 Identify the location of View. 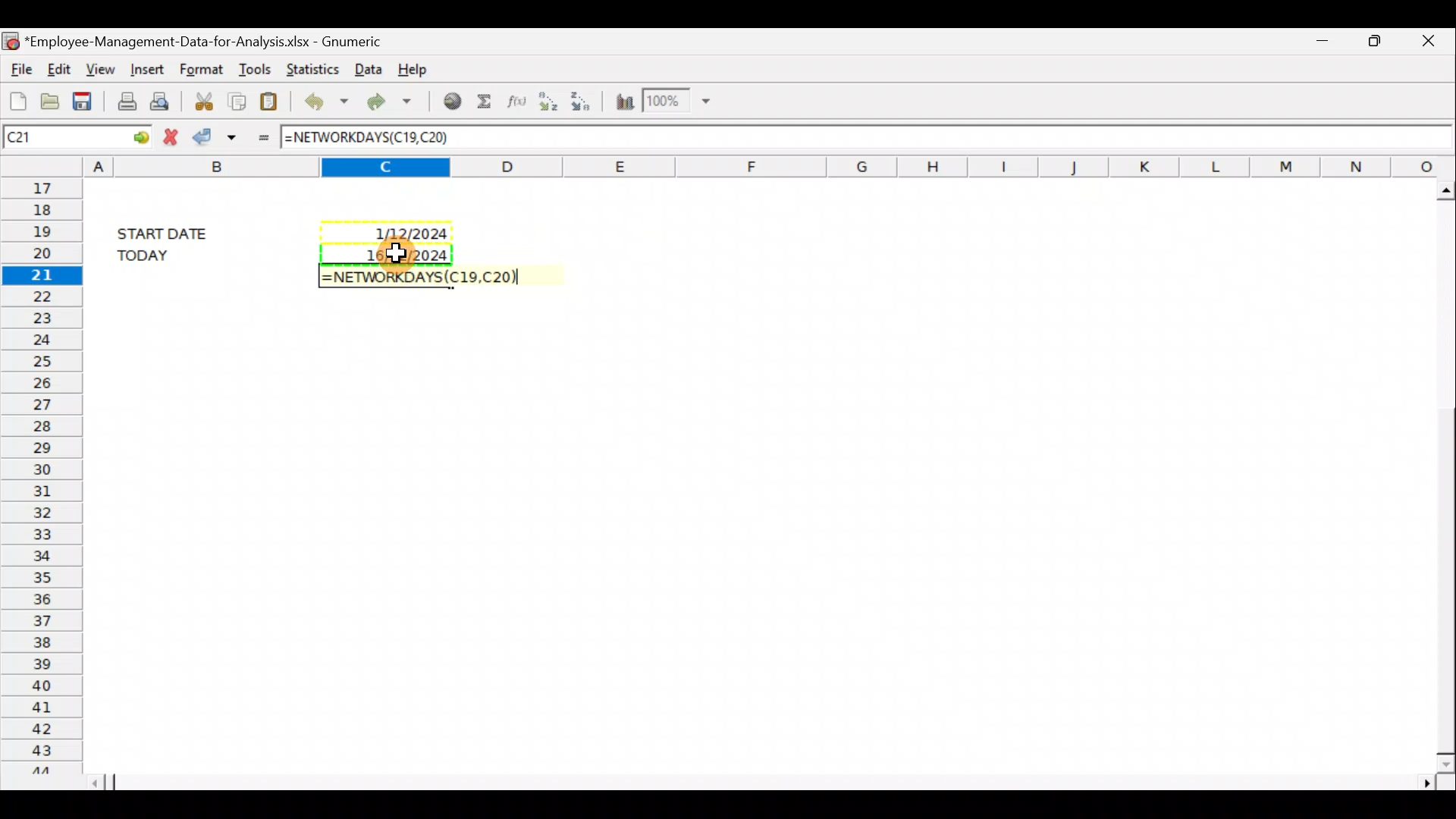
(102, 68).